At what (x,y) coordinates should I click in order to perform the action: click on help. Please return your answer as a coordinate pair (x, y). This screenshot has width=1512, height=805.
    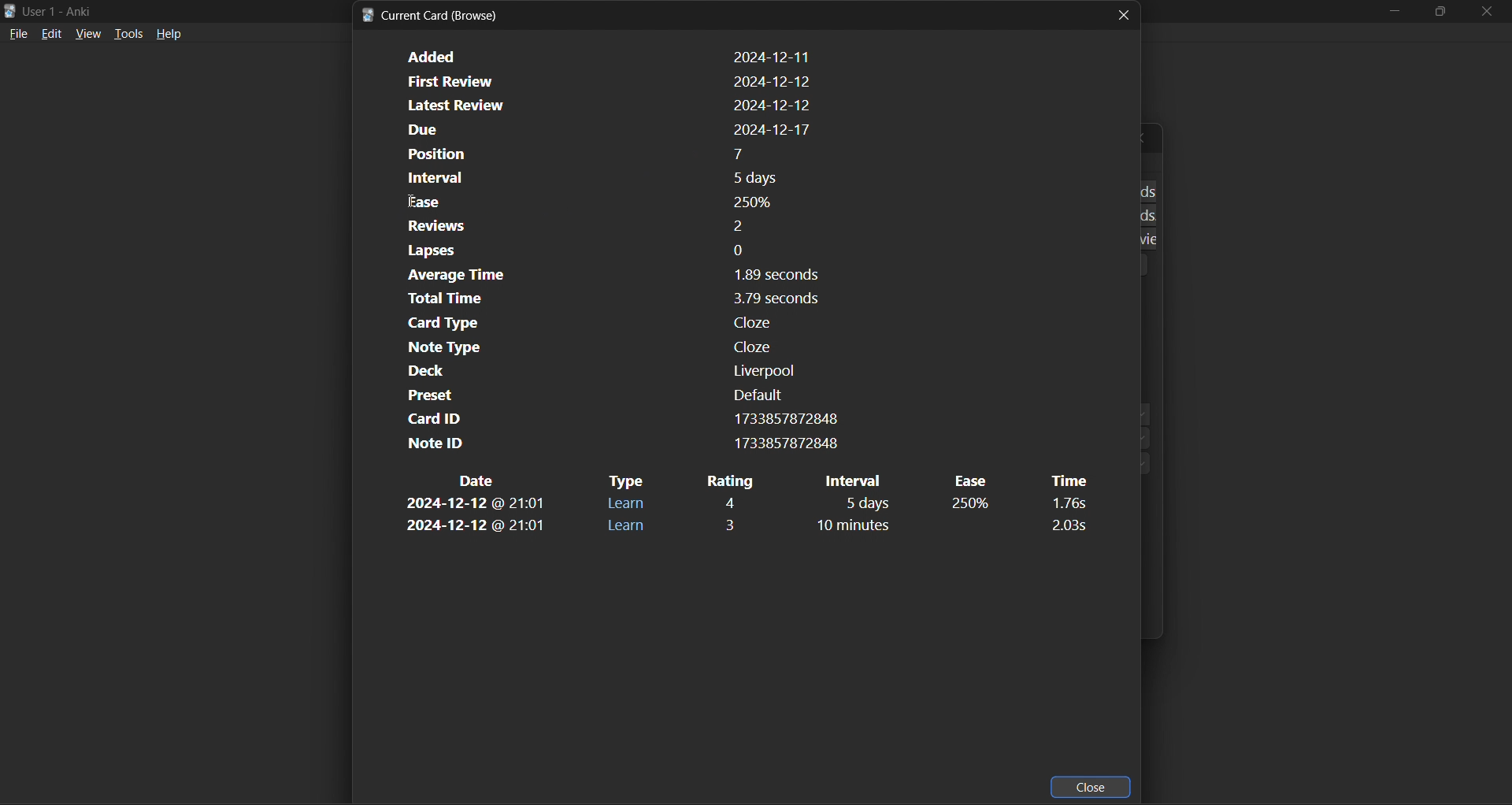
    Looking at the image, I should click on (169, 33).